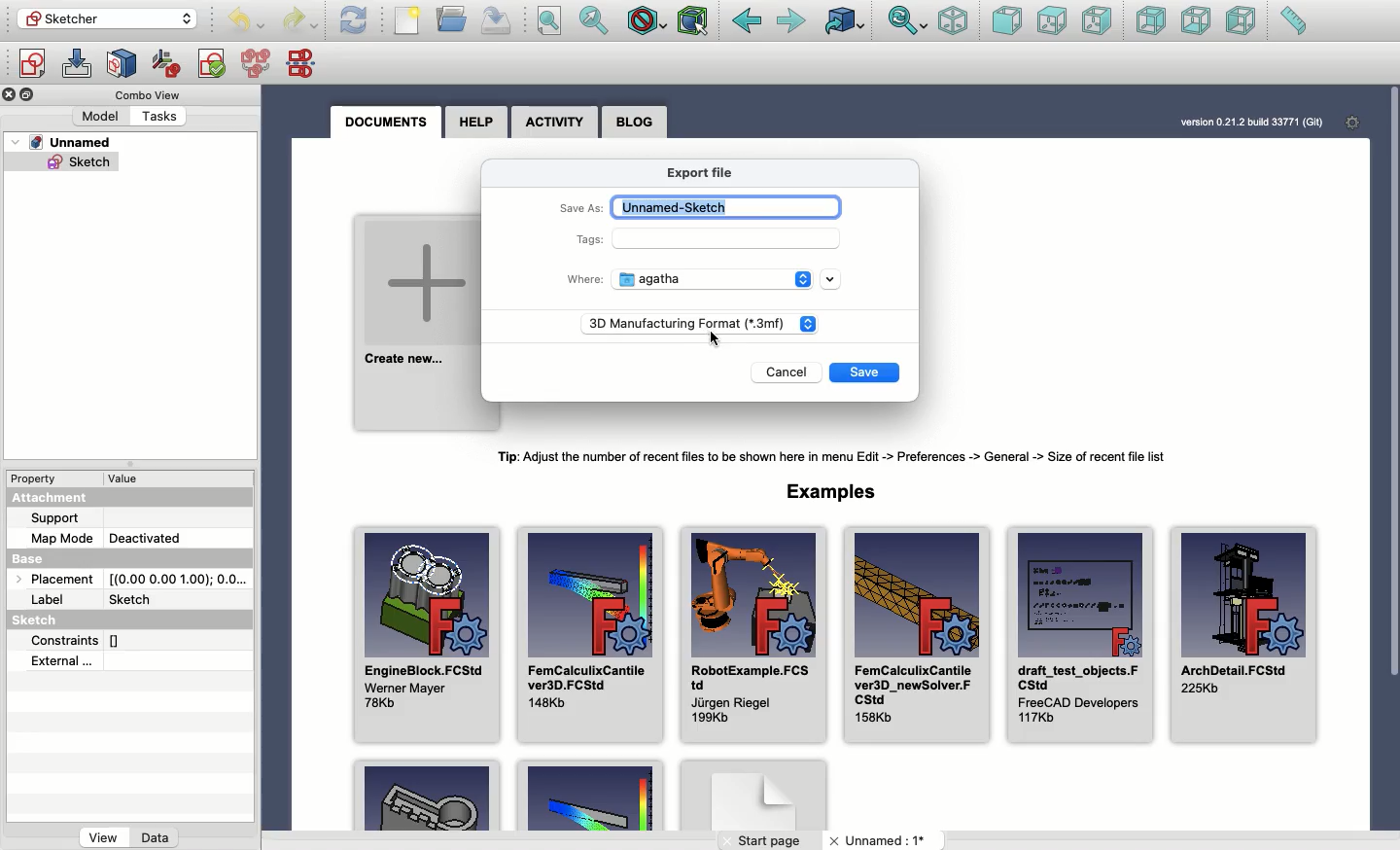  I want to click on Documents, so click(384, 122).